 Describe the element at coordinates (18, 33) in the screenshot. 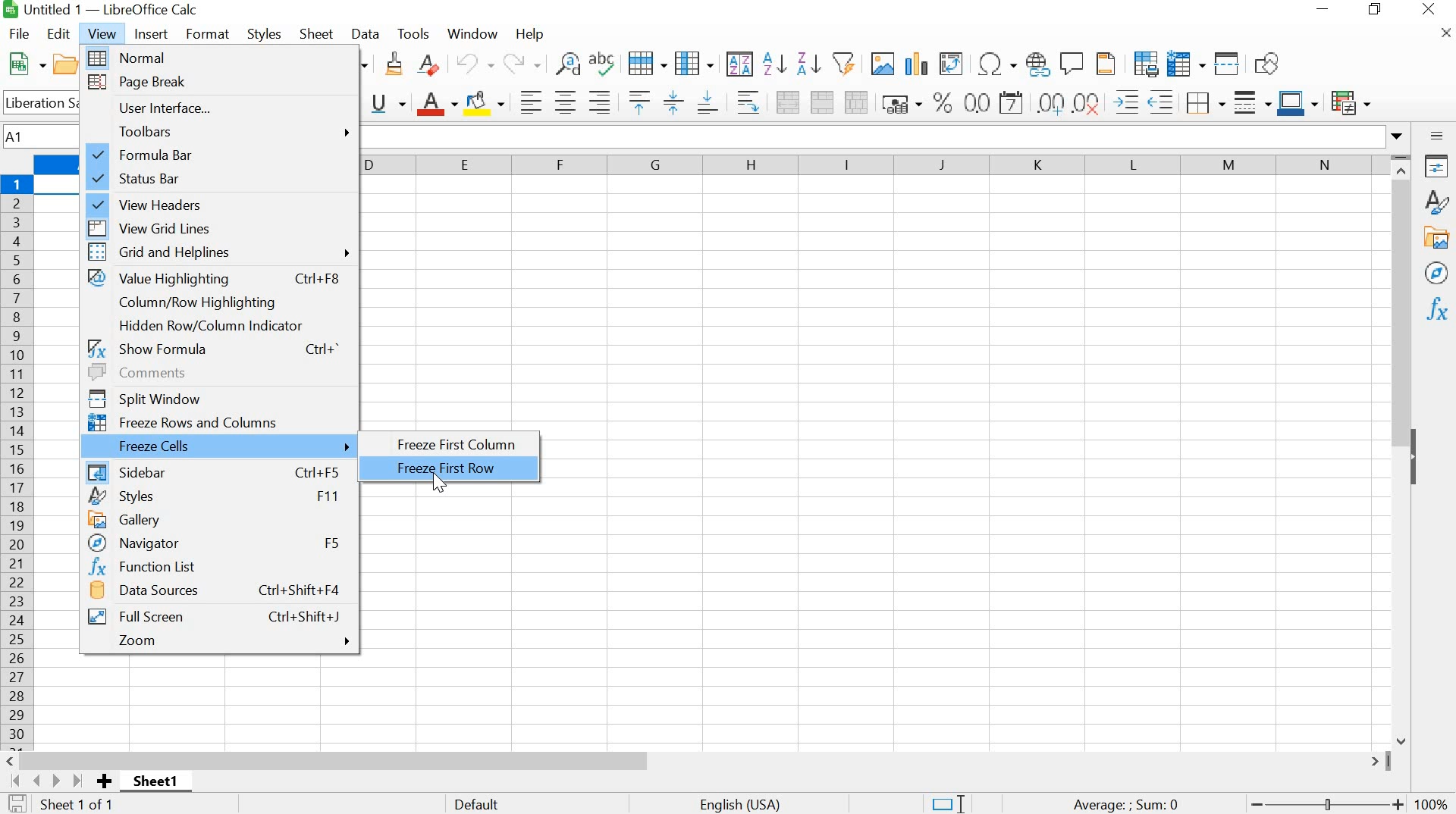

I see `FILE` at that location.